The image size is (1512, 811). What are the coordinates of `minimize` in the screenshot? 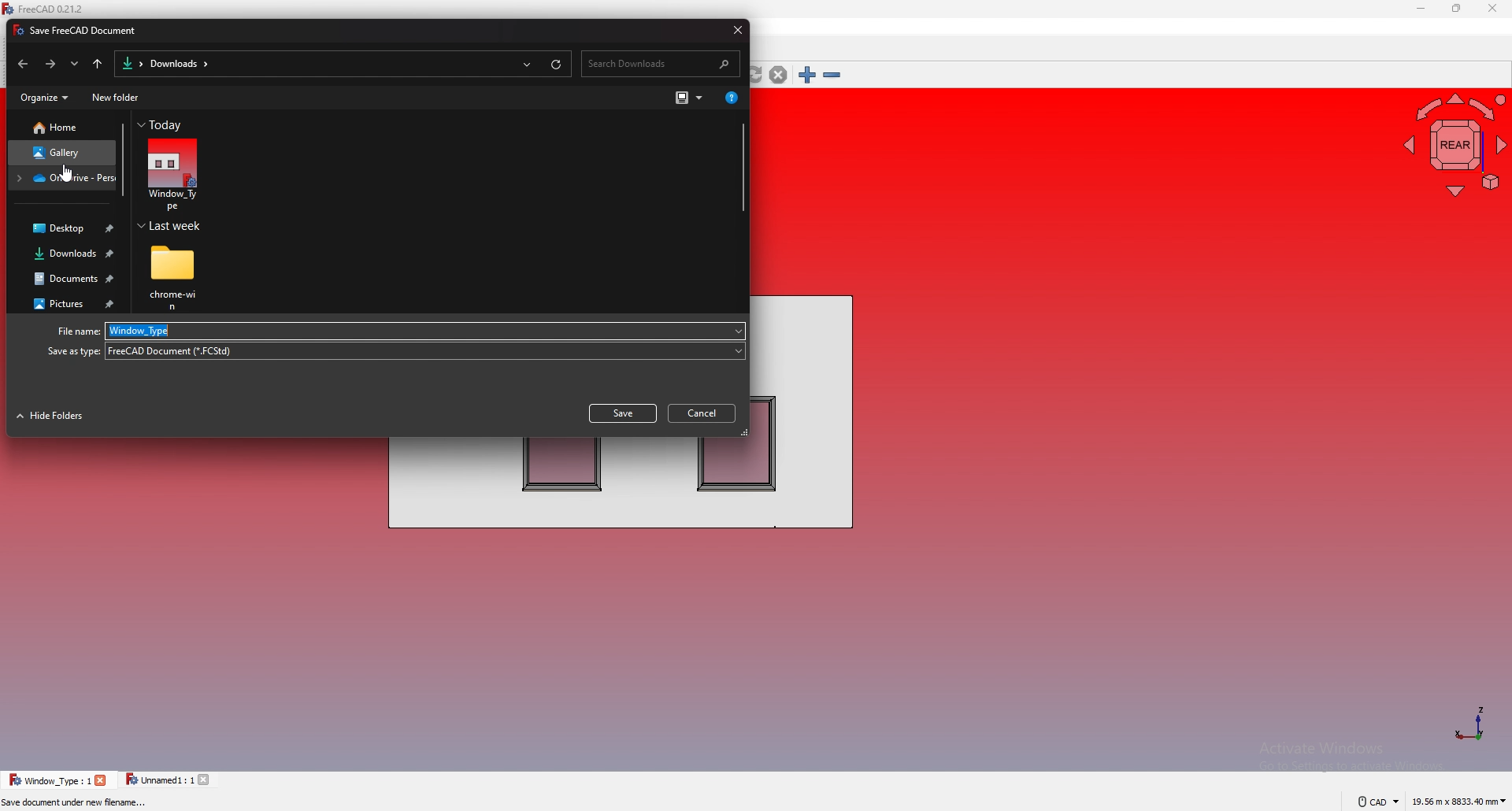 It's located at (1421, 9).